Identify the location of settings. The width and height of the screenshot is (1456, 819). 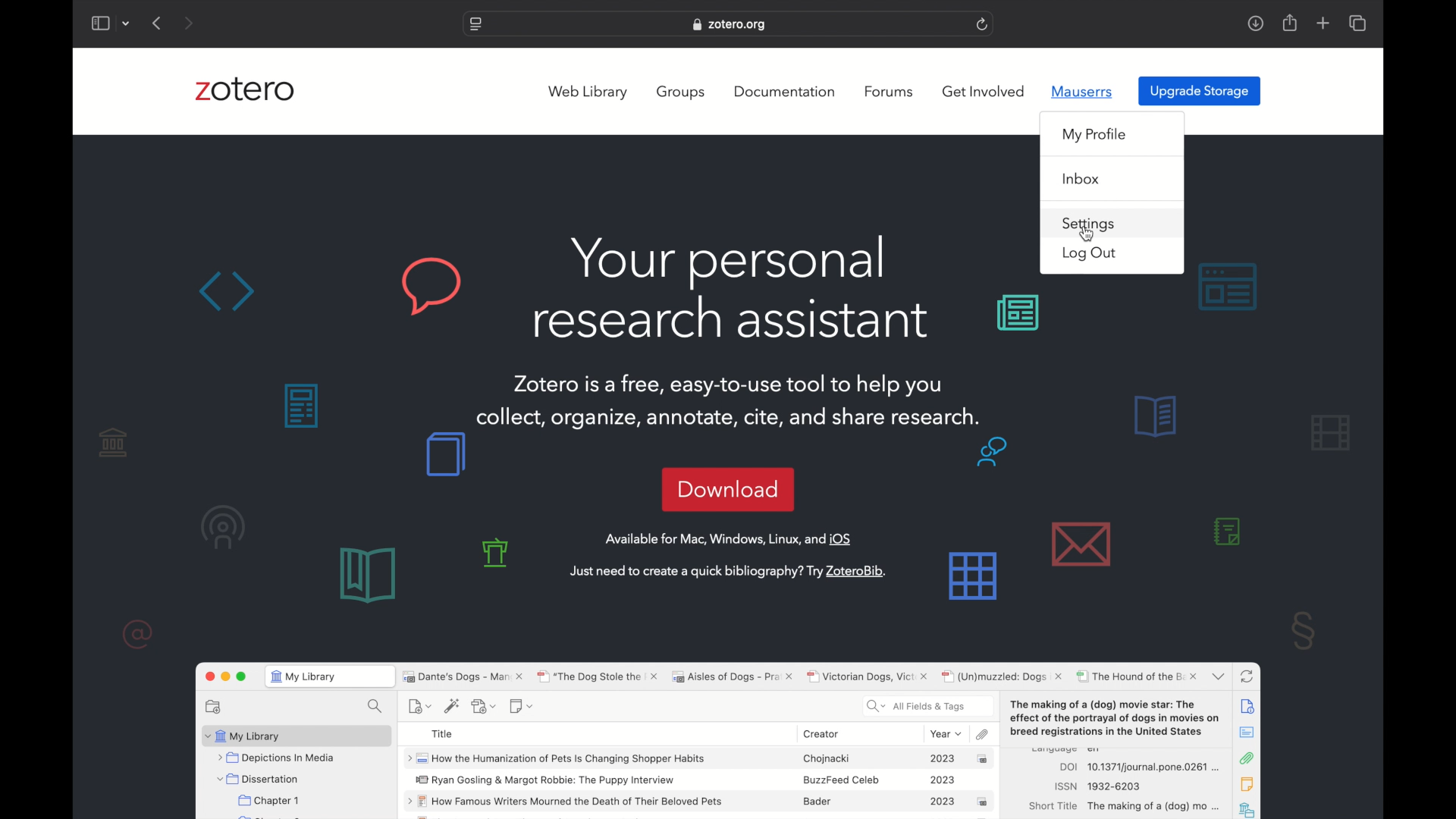
(1089, 224).